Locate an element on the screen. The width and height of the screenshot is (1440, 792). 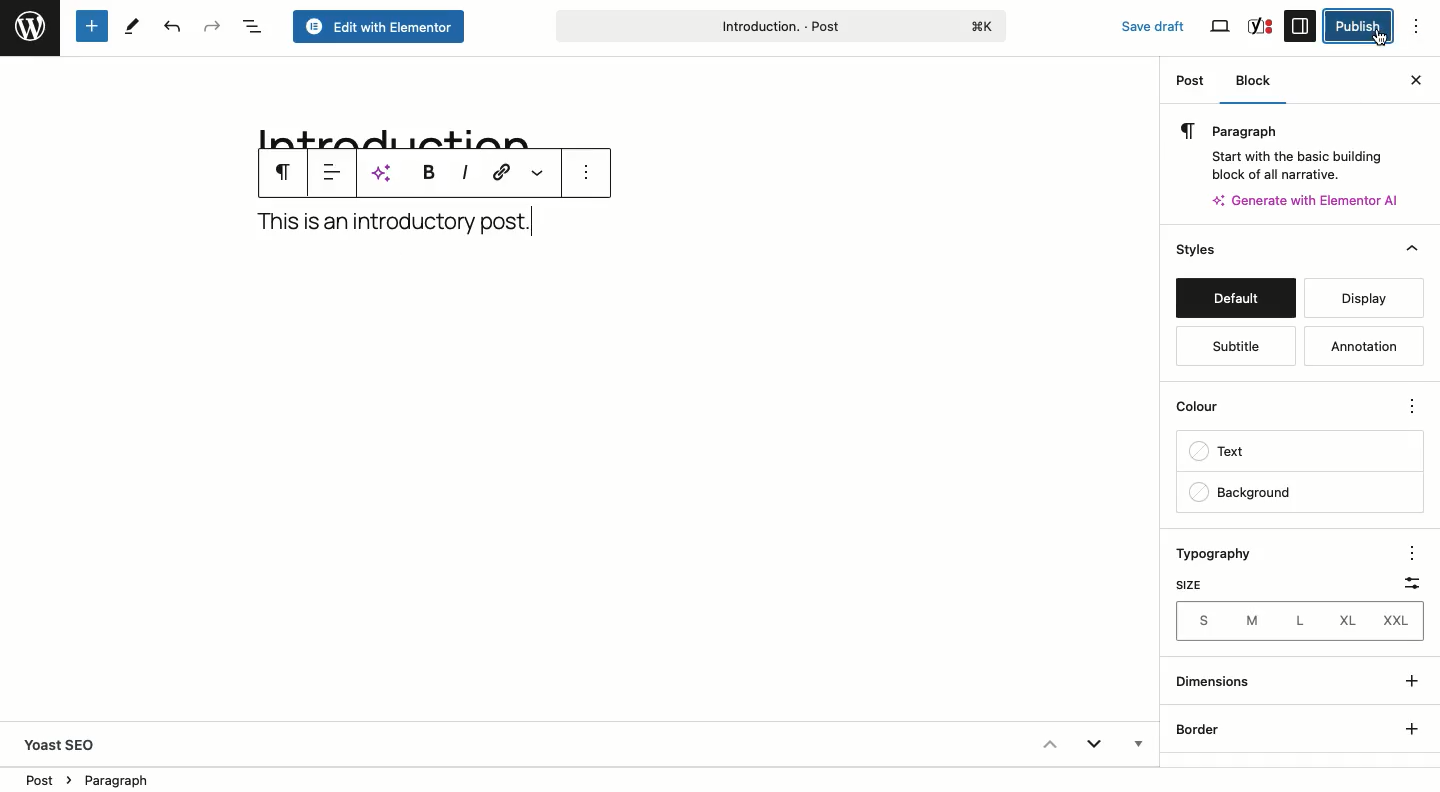
Options is located at coordinates (584, 173).